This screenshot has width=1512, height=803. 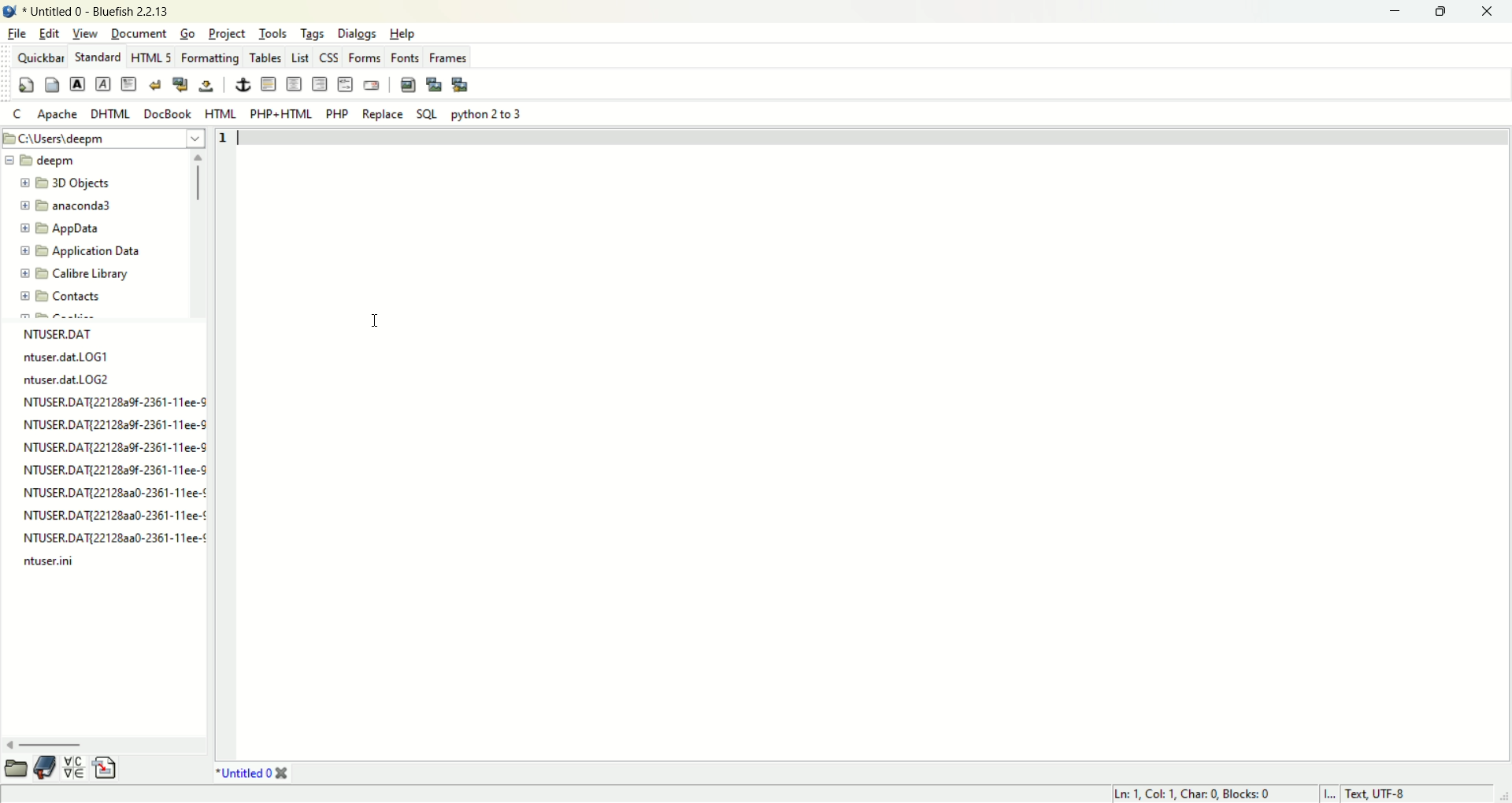 What do you see at coordinates (320, 83) in the screenshot?
I see `right justify` at bounding box center [320, 83].